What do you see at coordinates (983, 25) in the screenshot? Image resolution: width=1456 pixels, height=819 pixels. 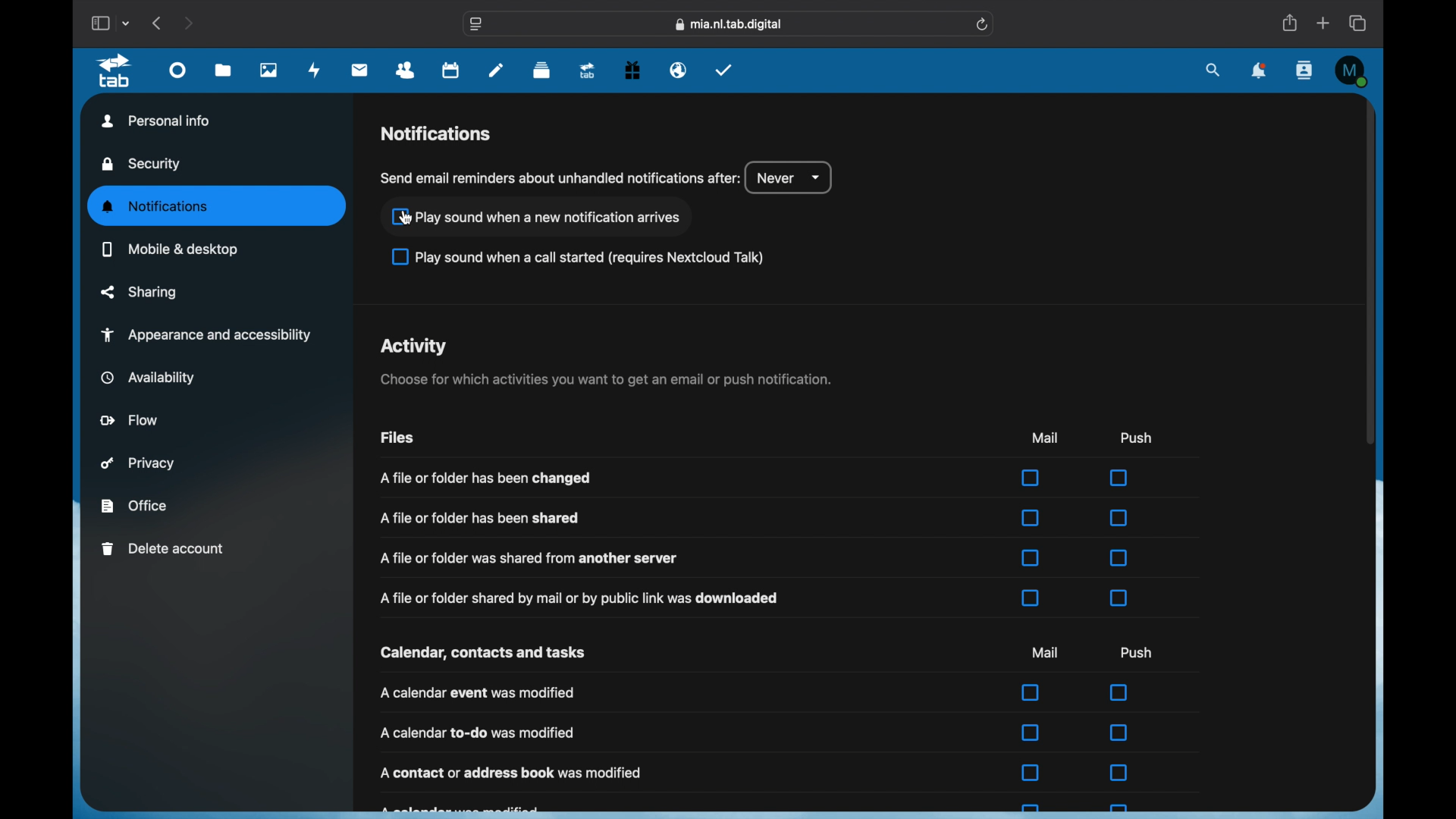 I see `refresh` at bounding box center [983, 25].